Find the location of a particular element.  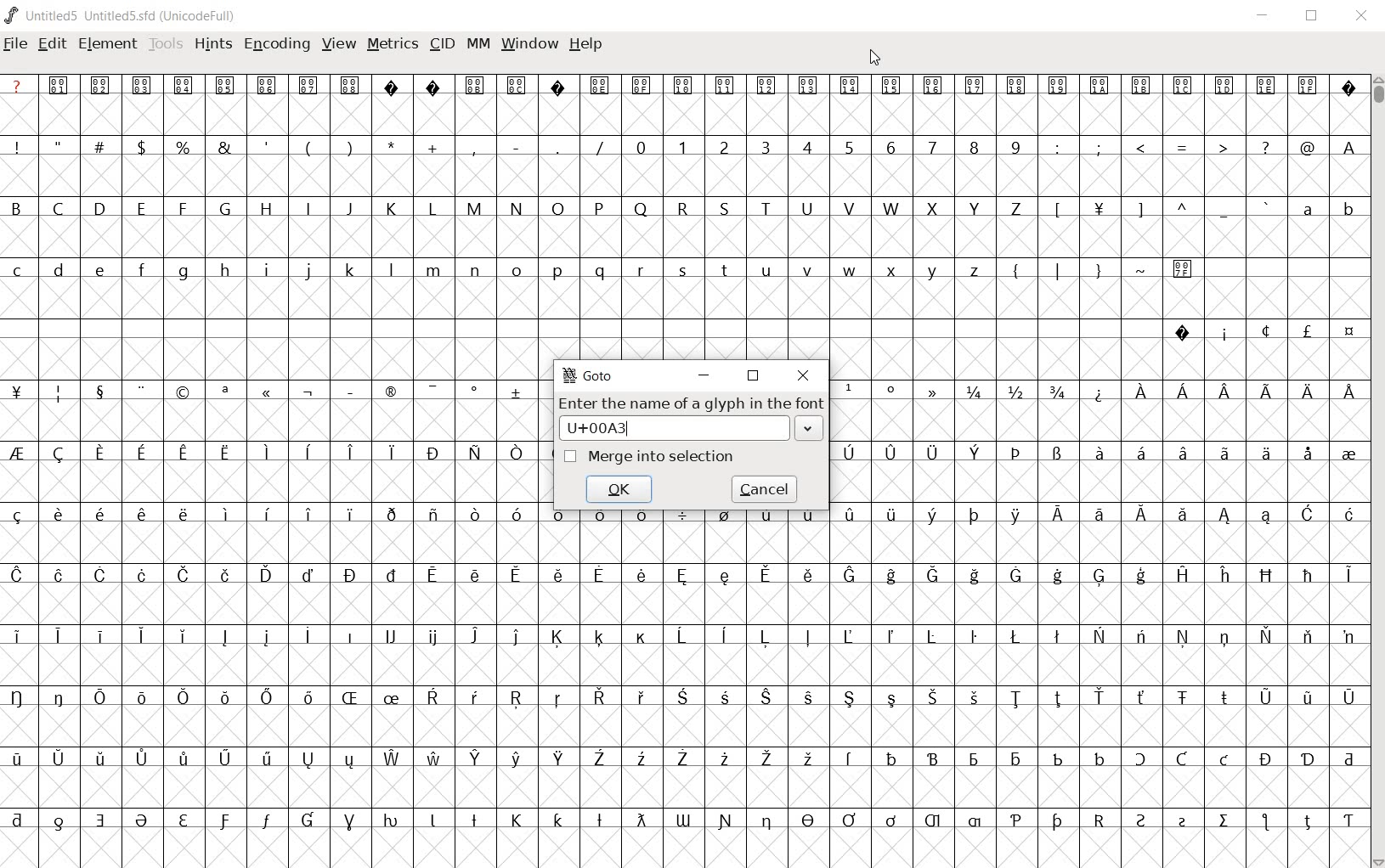

Symbol is located at coordinates (59, 757).